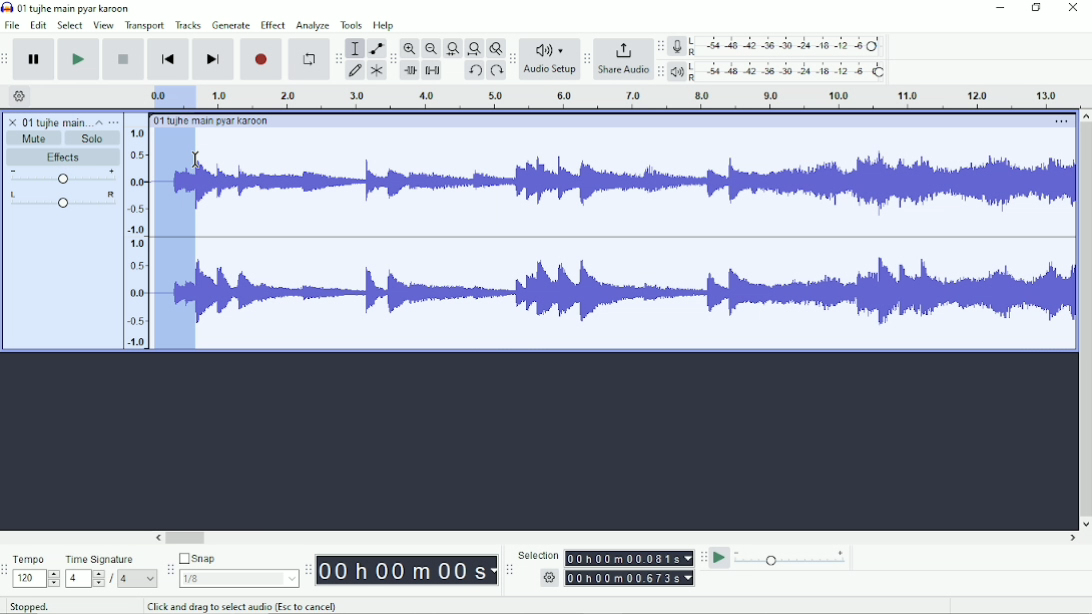  What do you see at coordinates (507, 570) in the screenshot?
I see `Audacity selection toolbar` at bounding box center [507, 570].